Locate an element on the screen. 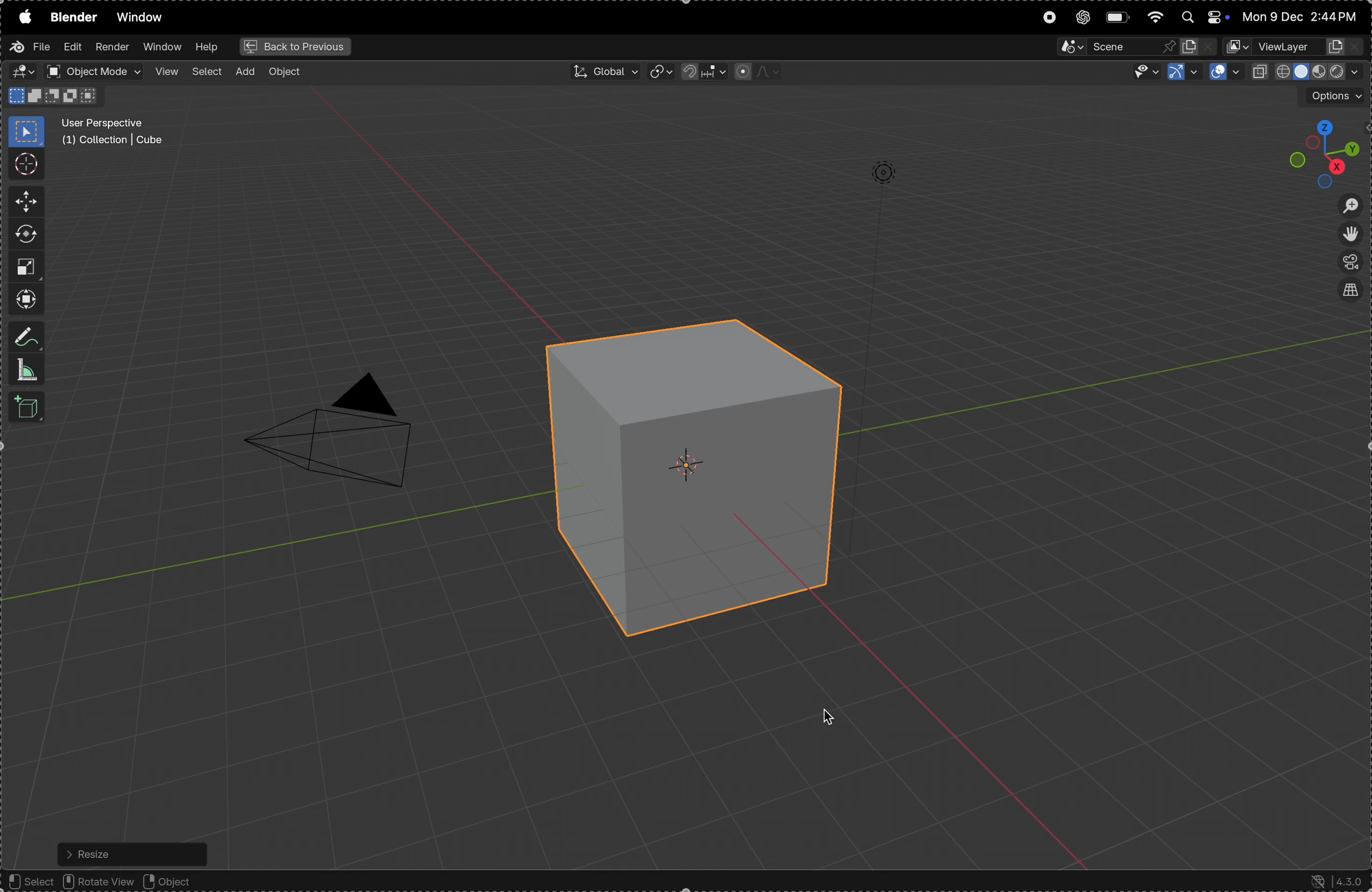 The image size is (1372, 892). editor type is located at coordinates (22, 73).